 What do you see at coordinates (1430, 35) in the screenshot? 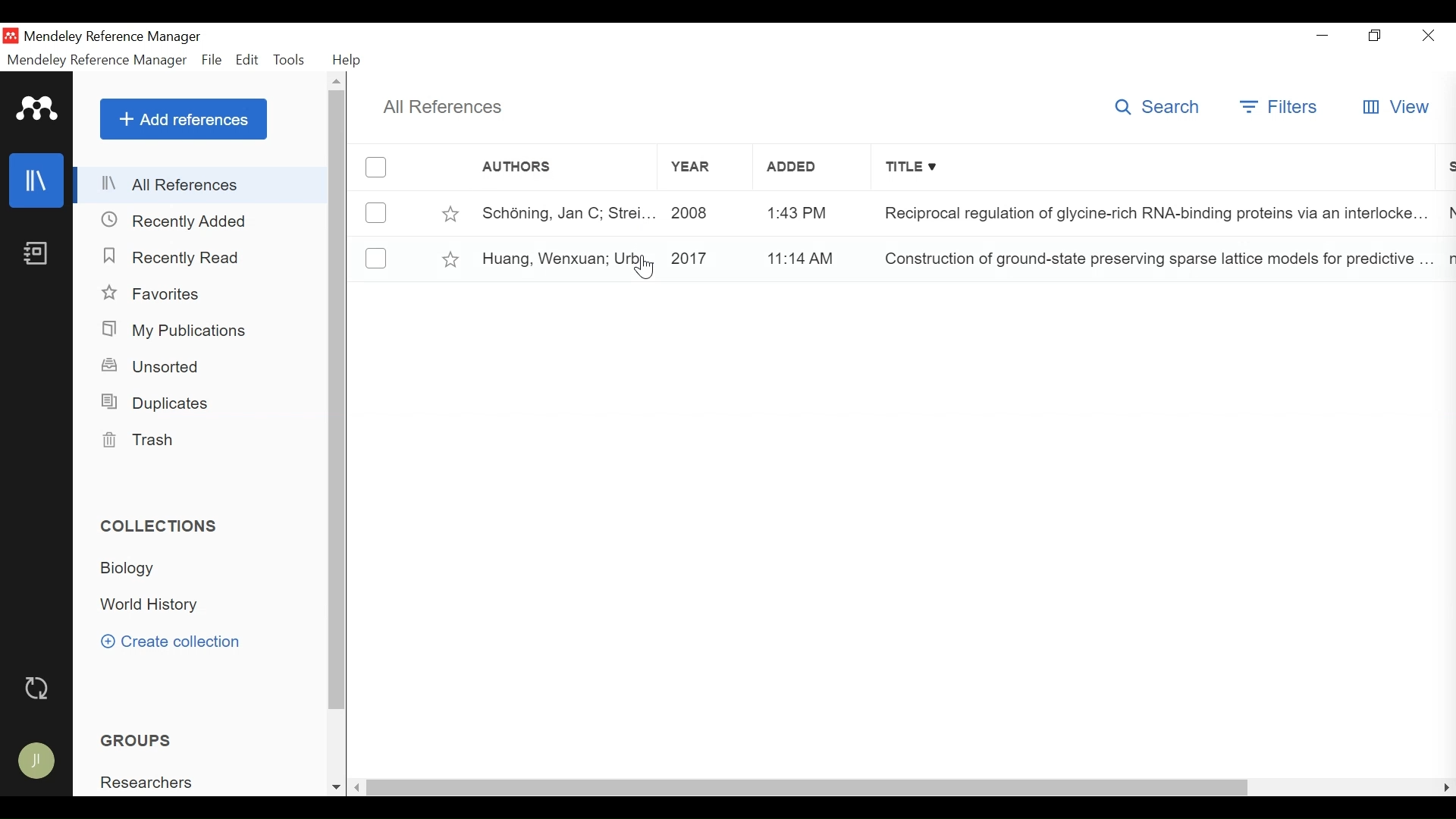
I see `Close` at bounding box center [1430, 35].